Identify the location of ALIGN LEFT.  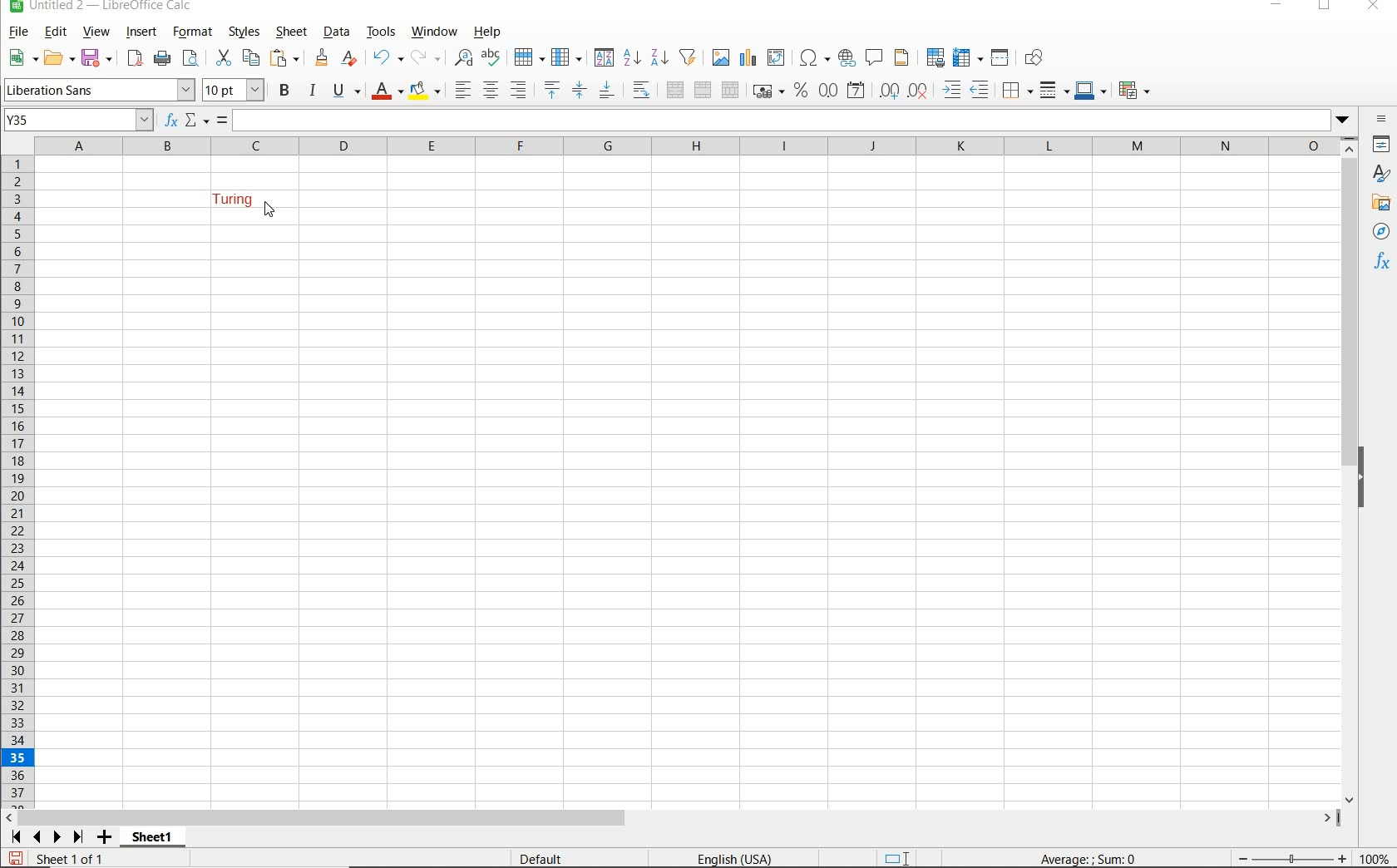
(462, 91).